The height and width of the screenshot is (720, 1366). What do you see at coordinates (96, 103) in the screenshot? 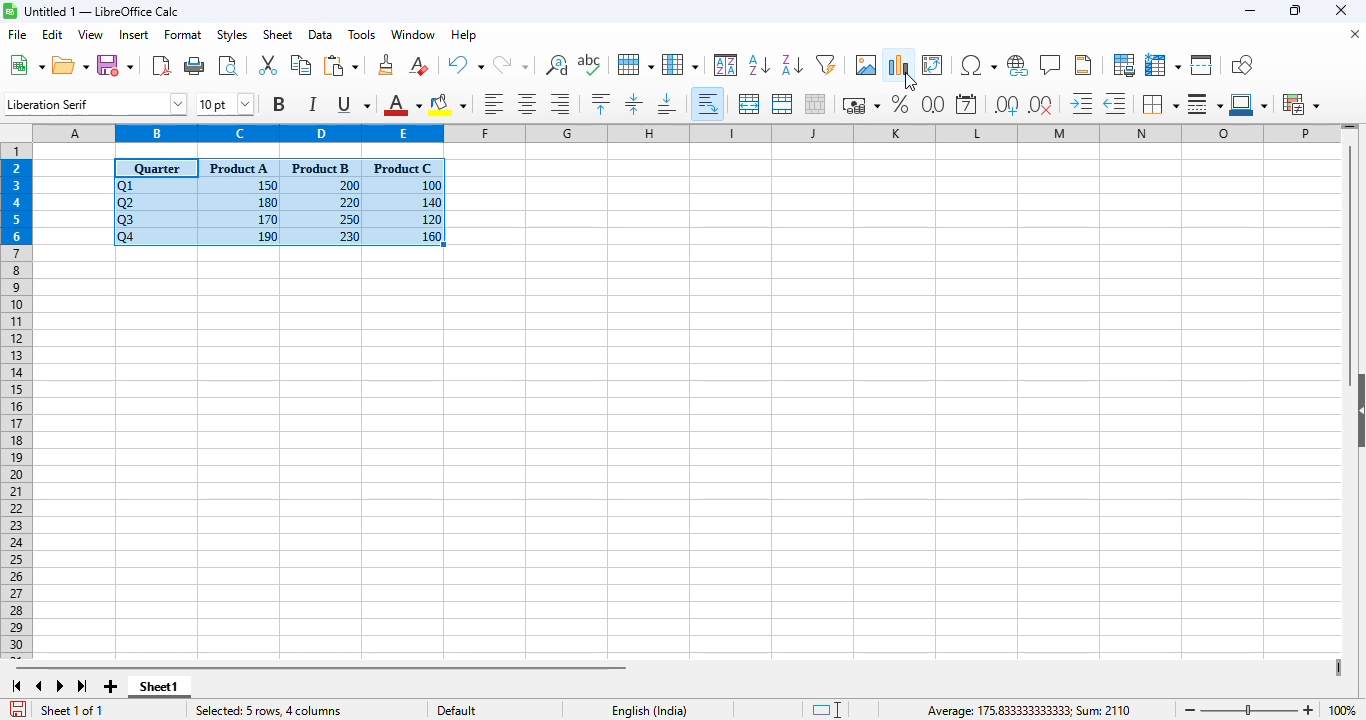
I see `font name` at bounding box center [96, 103].